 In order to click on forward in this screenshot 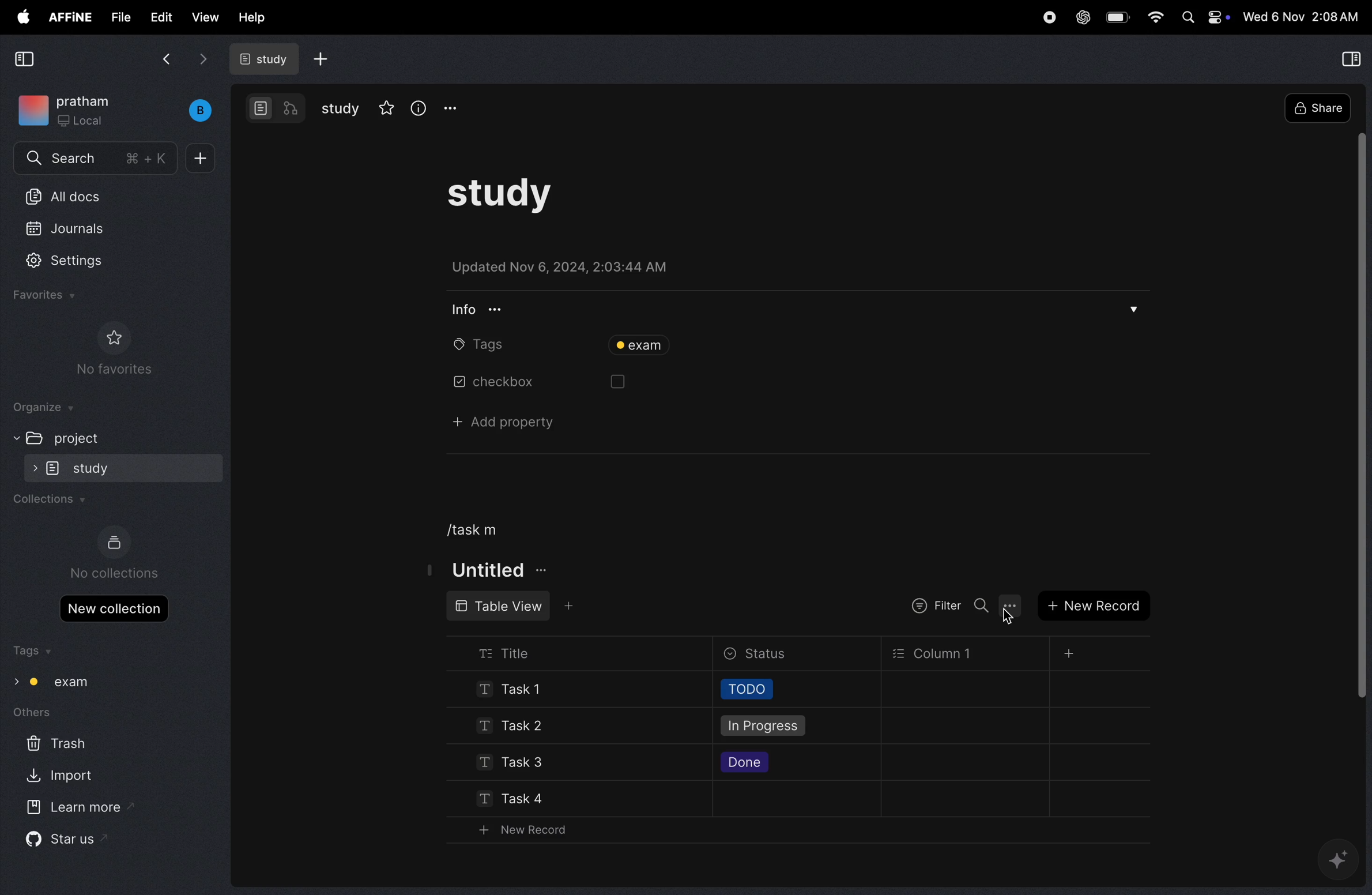, I will do `click(200, 59)`.